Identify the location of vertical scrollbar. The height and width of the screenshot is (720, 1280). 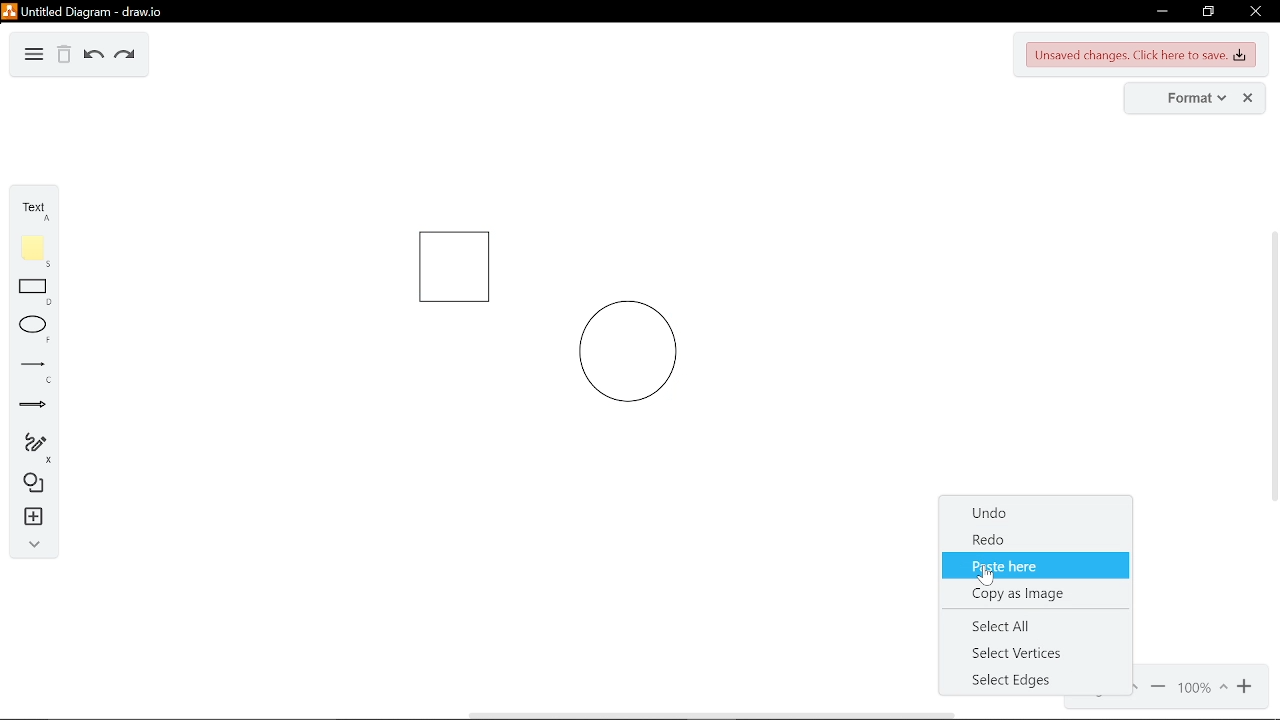
(1272, 366).